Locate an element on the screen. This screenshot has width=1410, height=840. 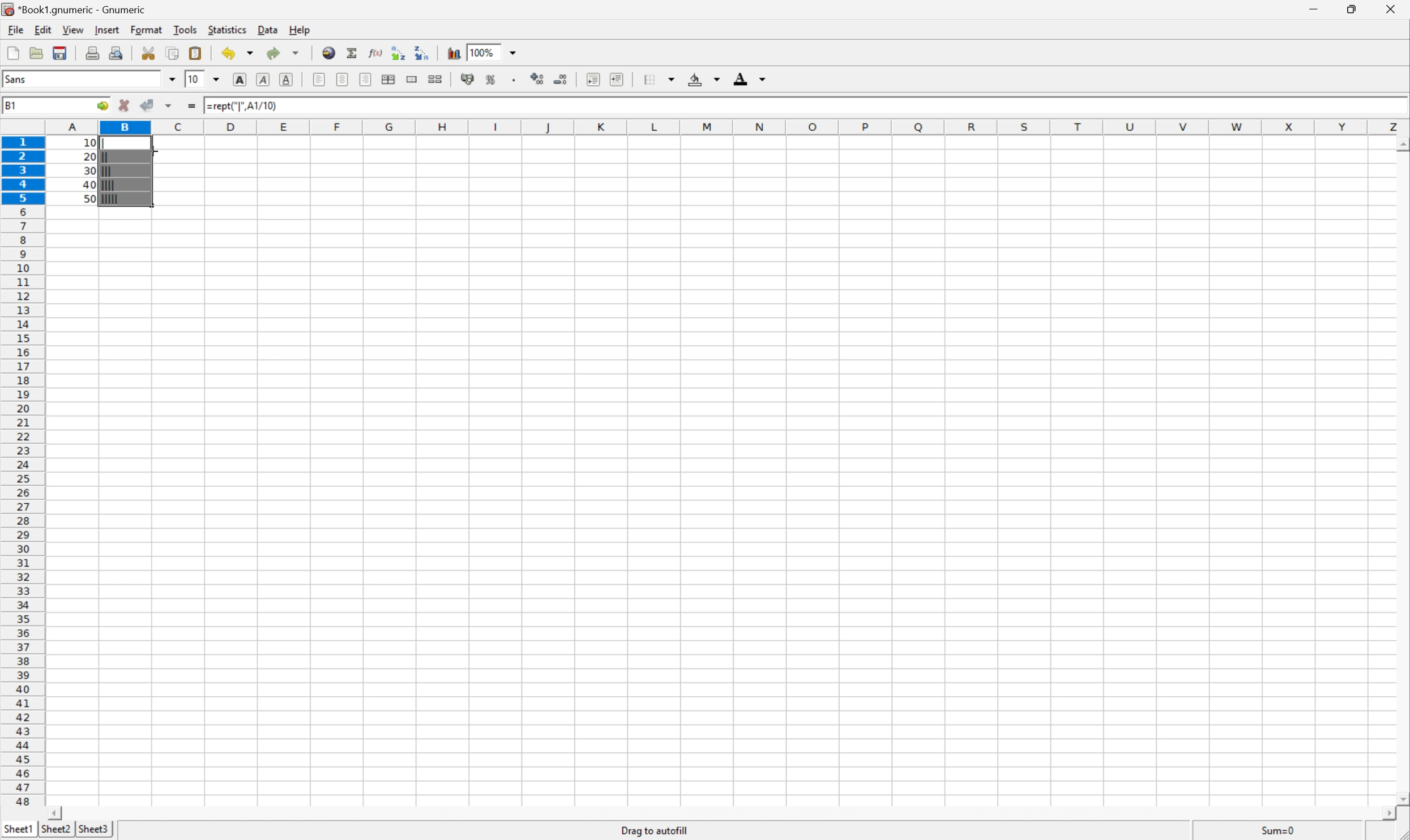
Cancel changes is located at coordinates (126, 106).